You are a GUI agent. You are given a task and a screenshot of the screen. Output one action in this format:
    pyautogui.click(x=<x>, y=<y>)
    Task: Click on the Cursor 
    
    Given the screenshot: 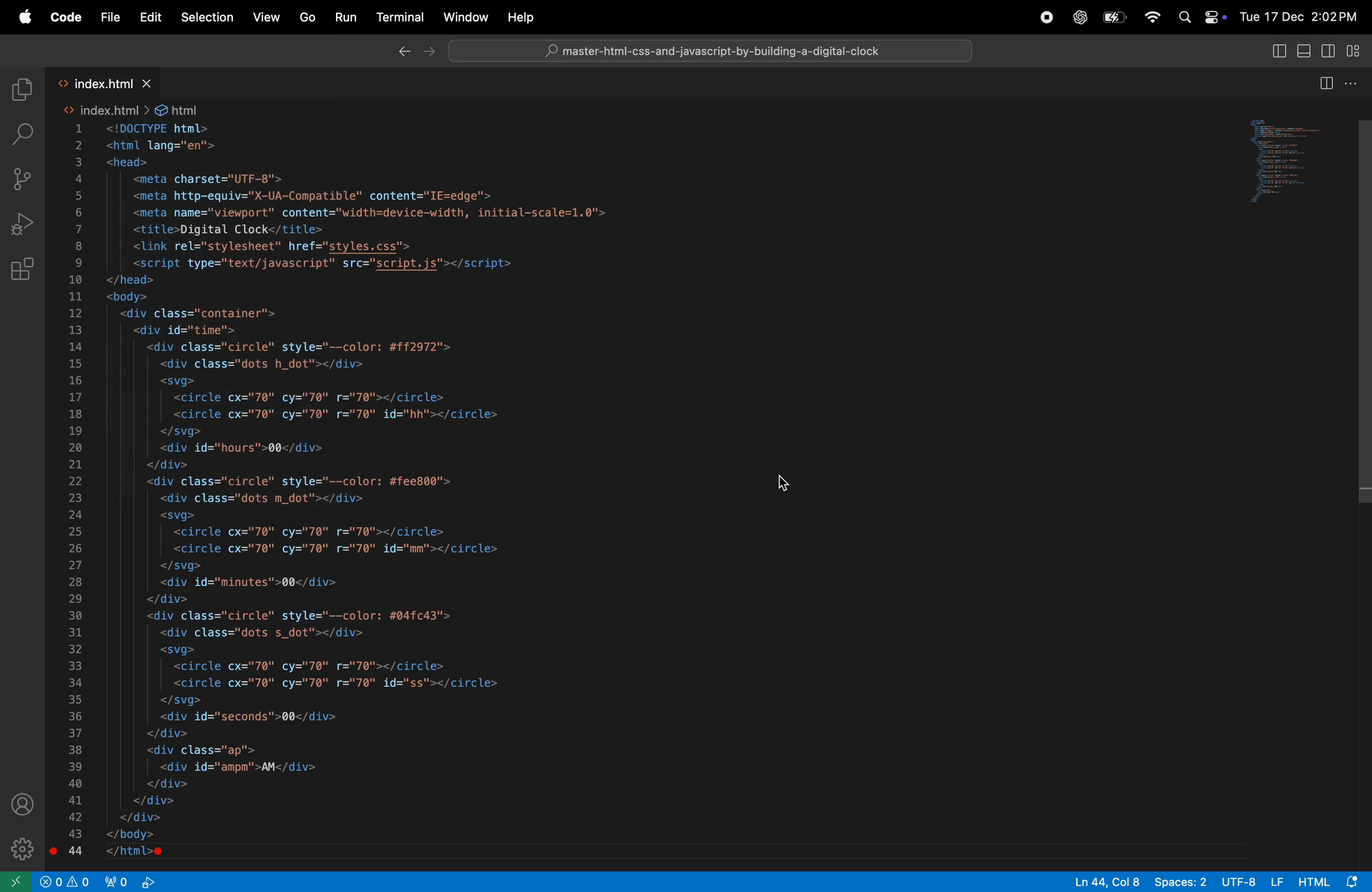 What is the action you would take?
    pyautogui.click(x=1363, y=476)
    